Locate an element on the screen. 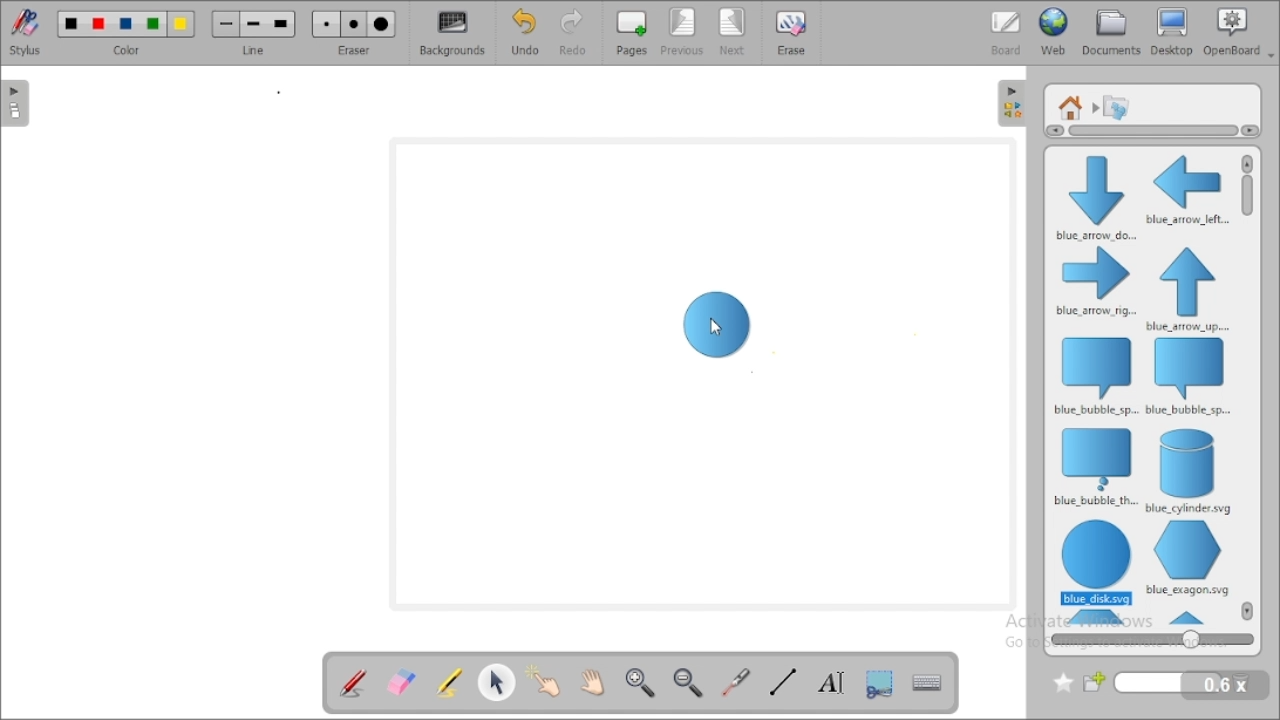  blue arrow right is located at coordinates (1096, 283).